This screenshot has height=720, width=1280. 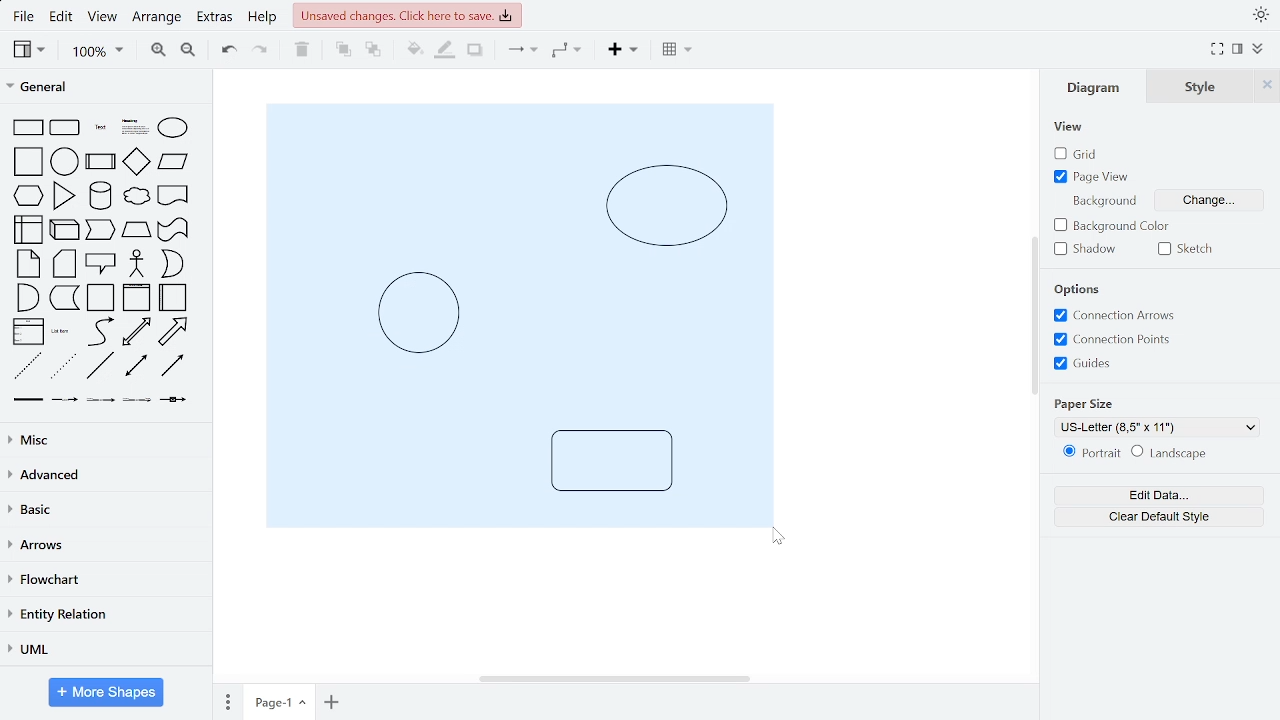 I want to click on extras, so click(x=216, y=19).